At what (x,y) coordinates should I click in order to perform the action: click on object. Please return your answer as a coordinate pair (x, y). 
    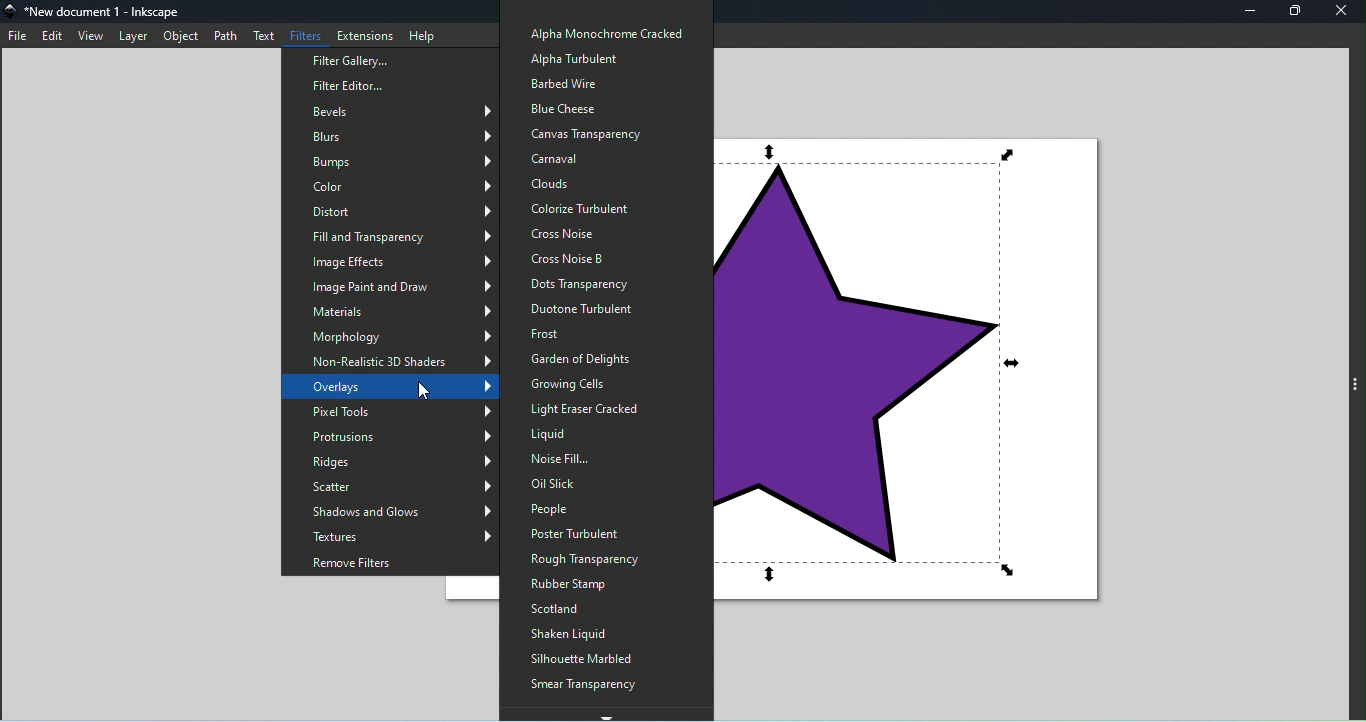
    Looking at the image, I should click on (184, 36).